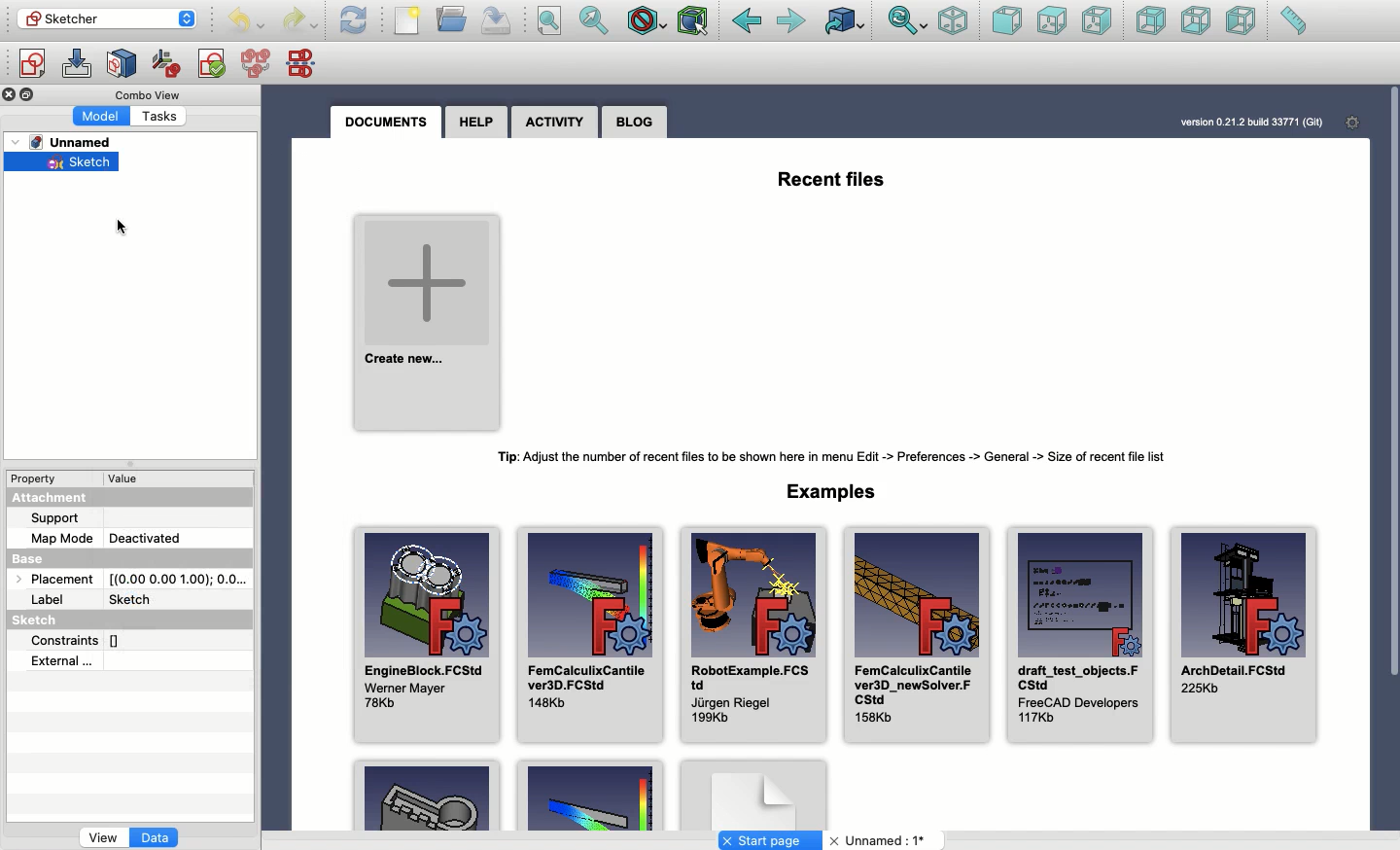  Describe the element at coordinates (354, 20) in the screenshot. I see `Refresh` at that location.